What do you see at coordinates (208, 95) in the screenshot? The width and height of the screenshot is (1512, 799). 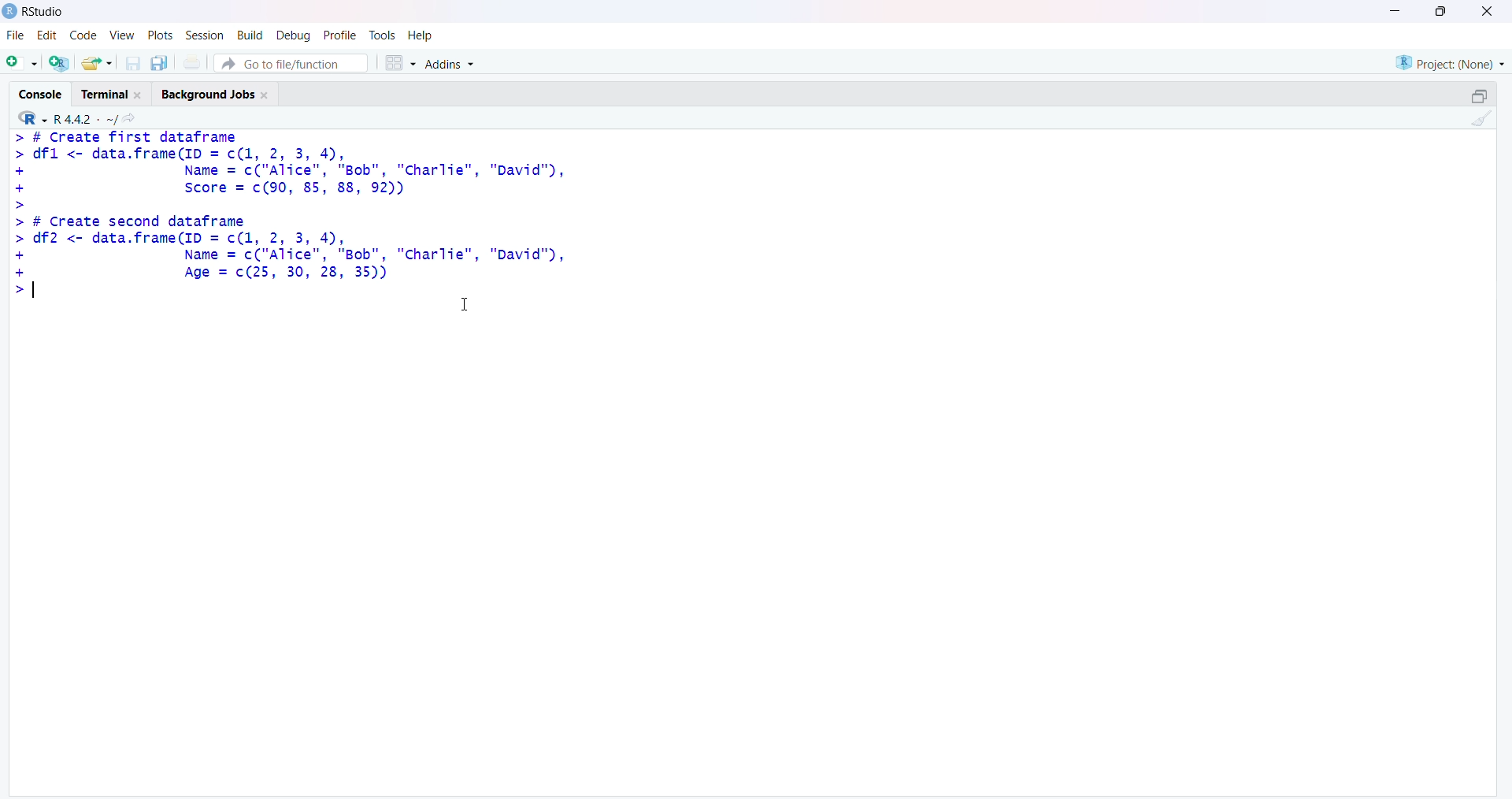 I see `Background jobs` at bounding box center [208, 95].